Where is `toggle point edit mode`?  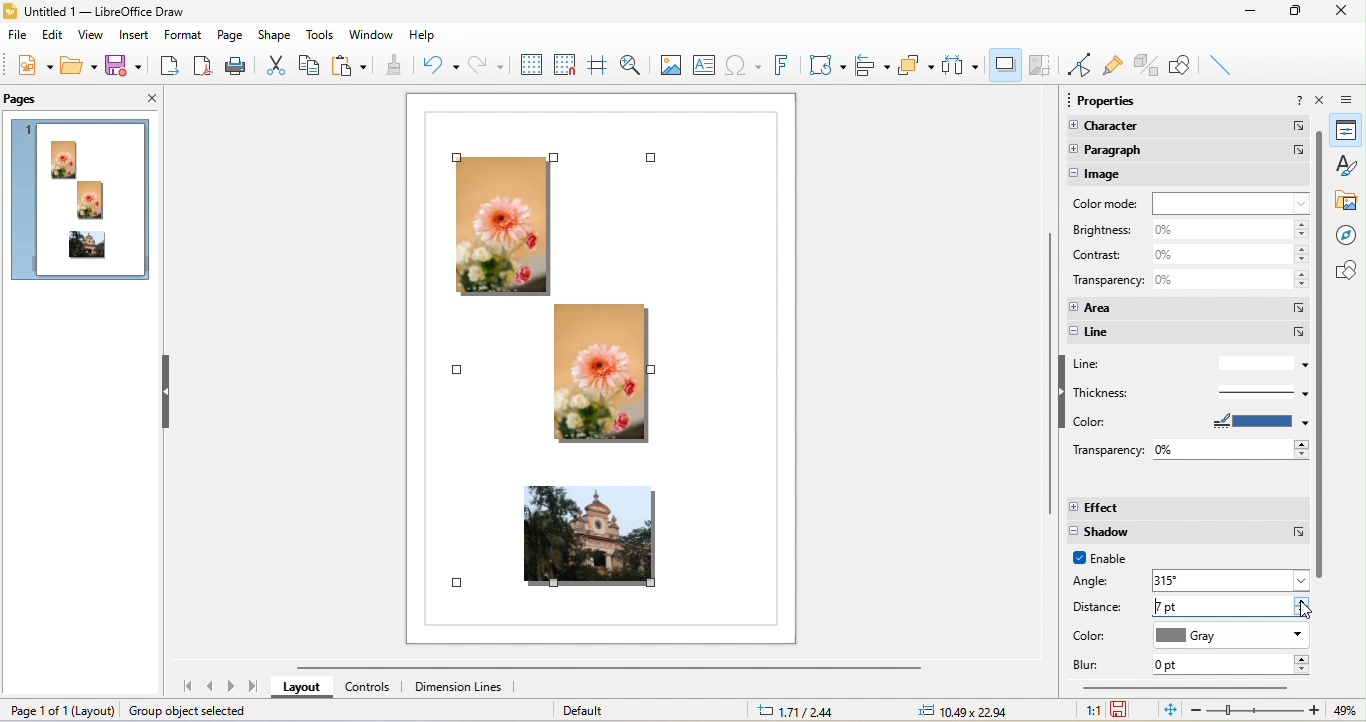
toggle point edit mode is located at coordinates (1078, 64).